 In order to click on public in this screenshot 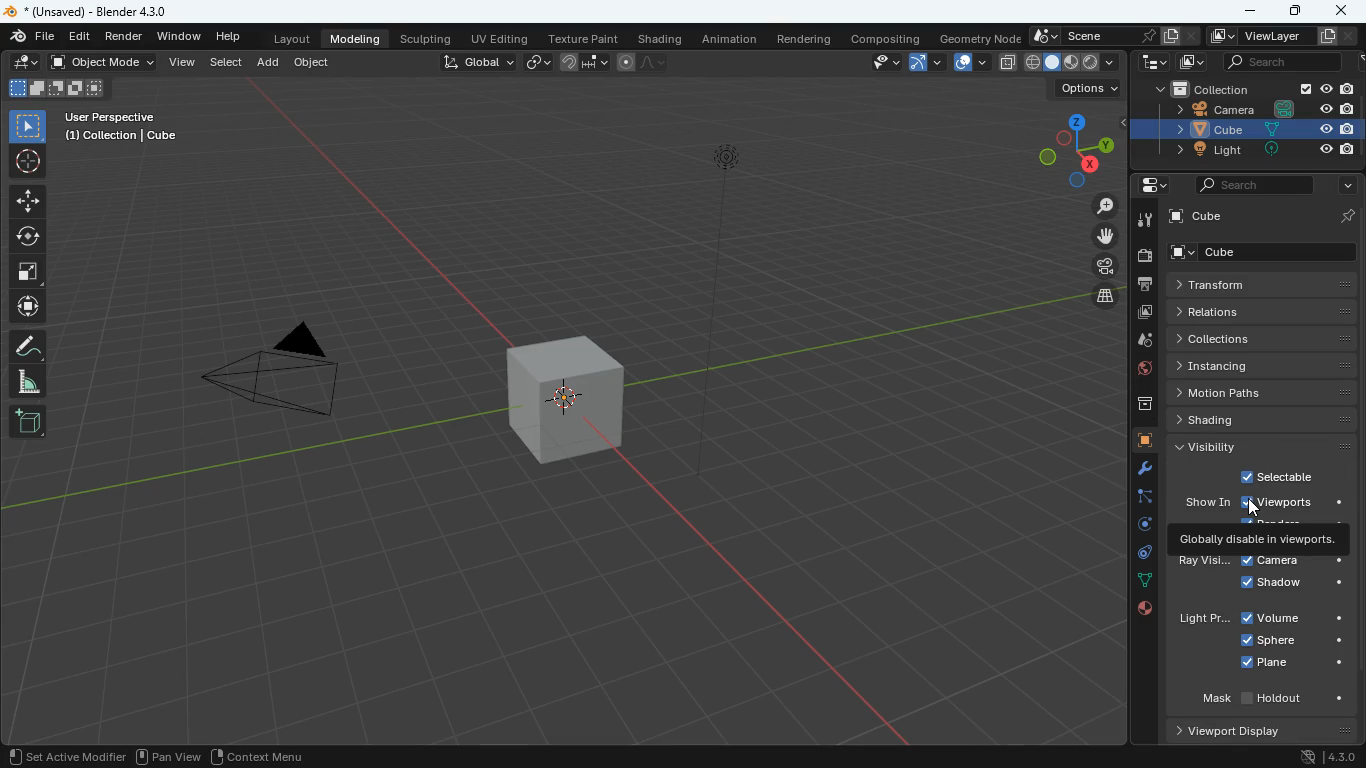, I will do `click(1139, 608)`.